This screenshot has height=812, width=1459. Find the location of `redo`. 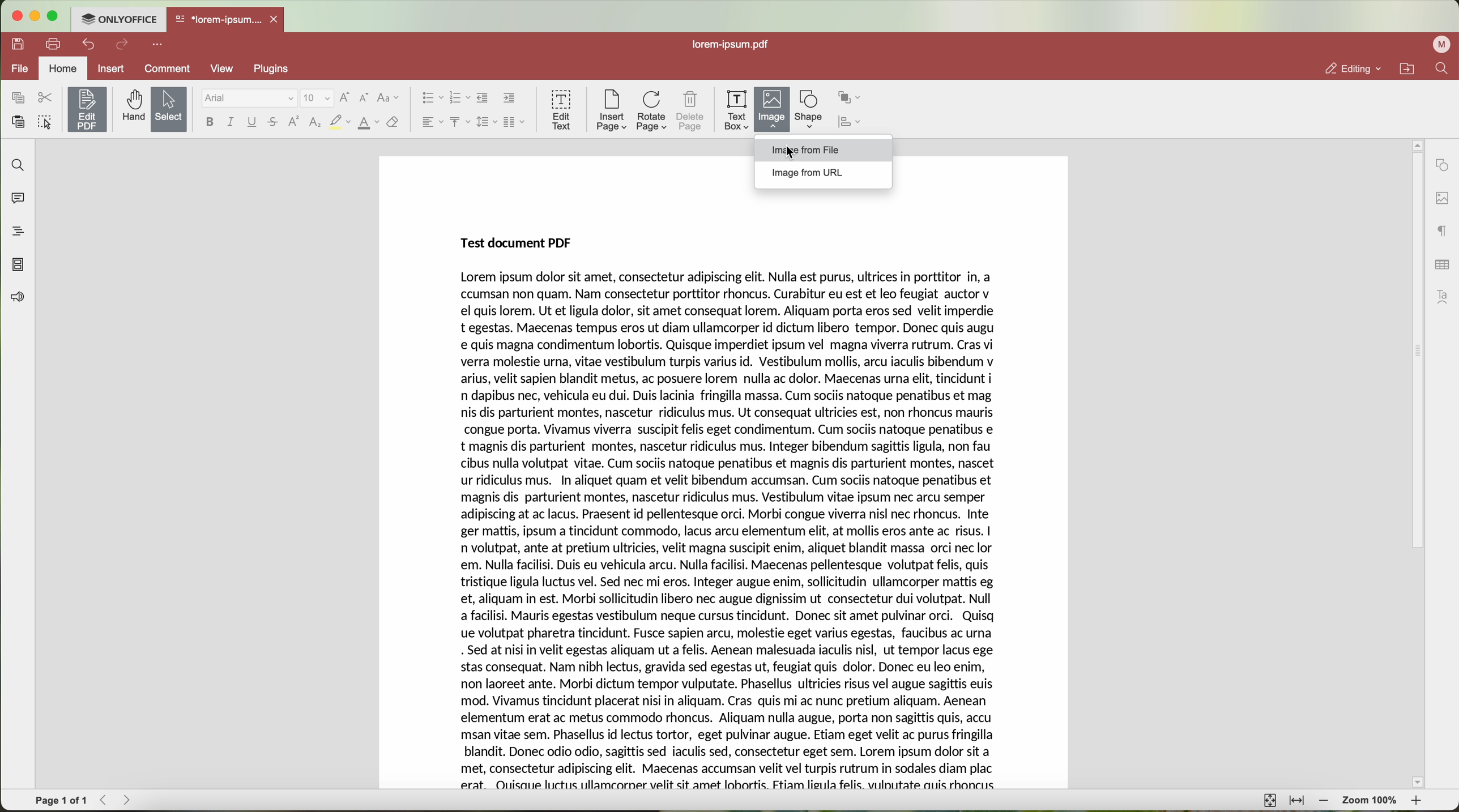

redo is located at coordinates (122, 45).